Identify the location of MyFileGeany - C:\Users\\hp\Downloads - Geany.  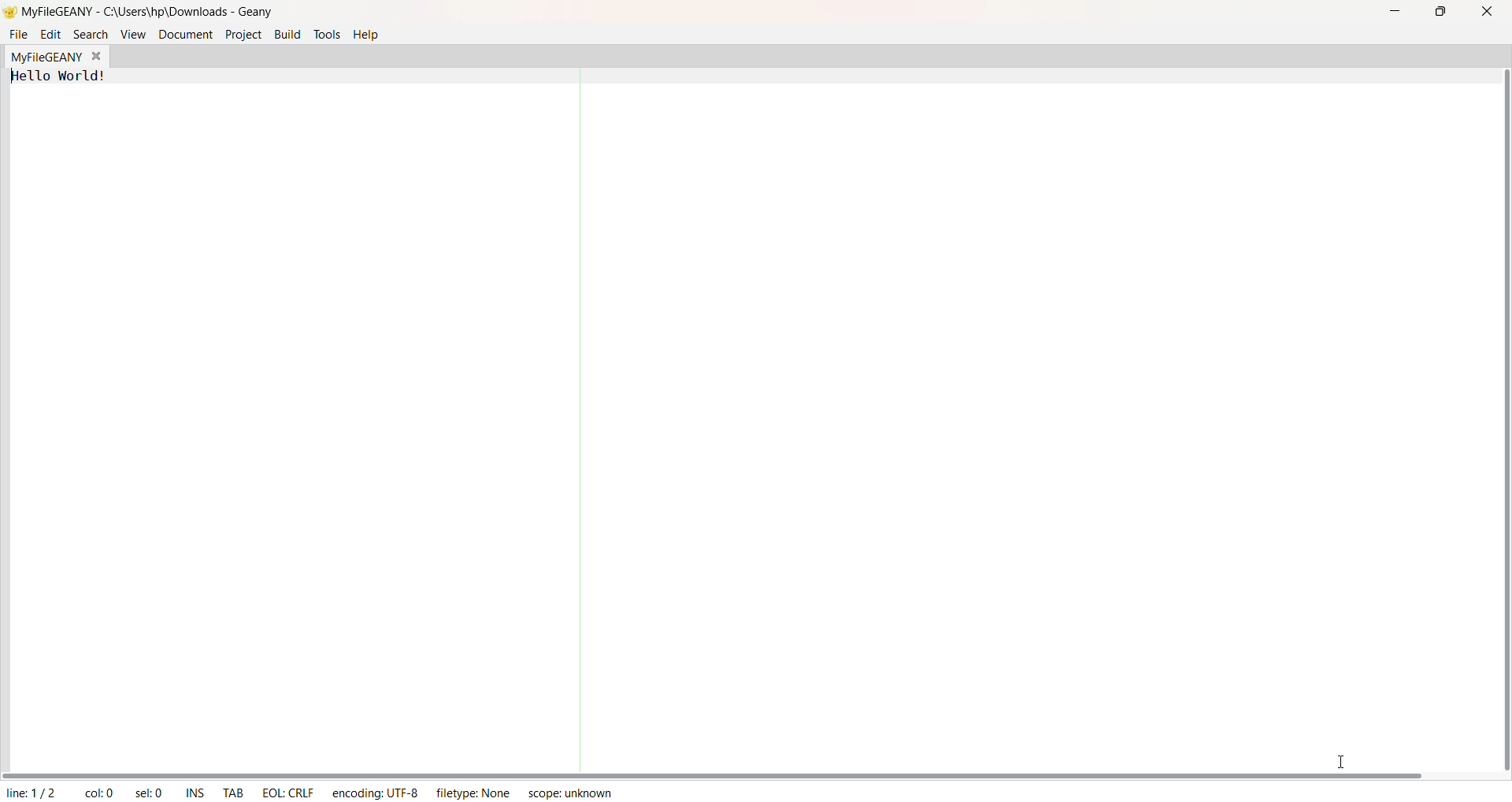
(253, 13).